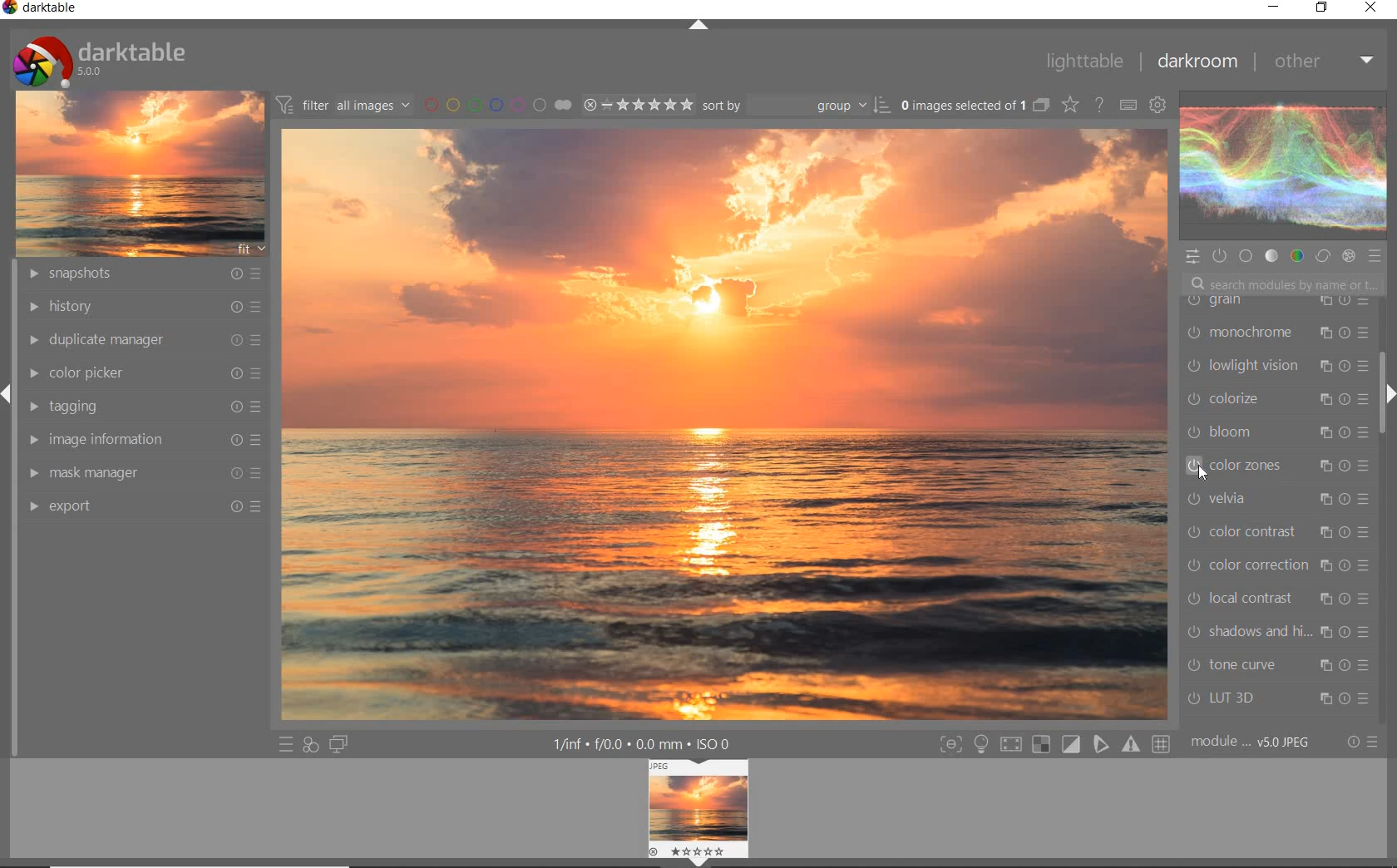 Image resolution: width=1397 pixels, height=868 pixels. What do you see at coordinates (645, 744) in the screenshot?
I see `OTHER INTERFACE DETAIL` at bounding box center [645, 744].